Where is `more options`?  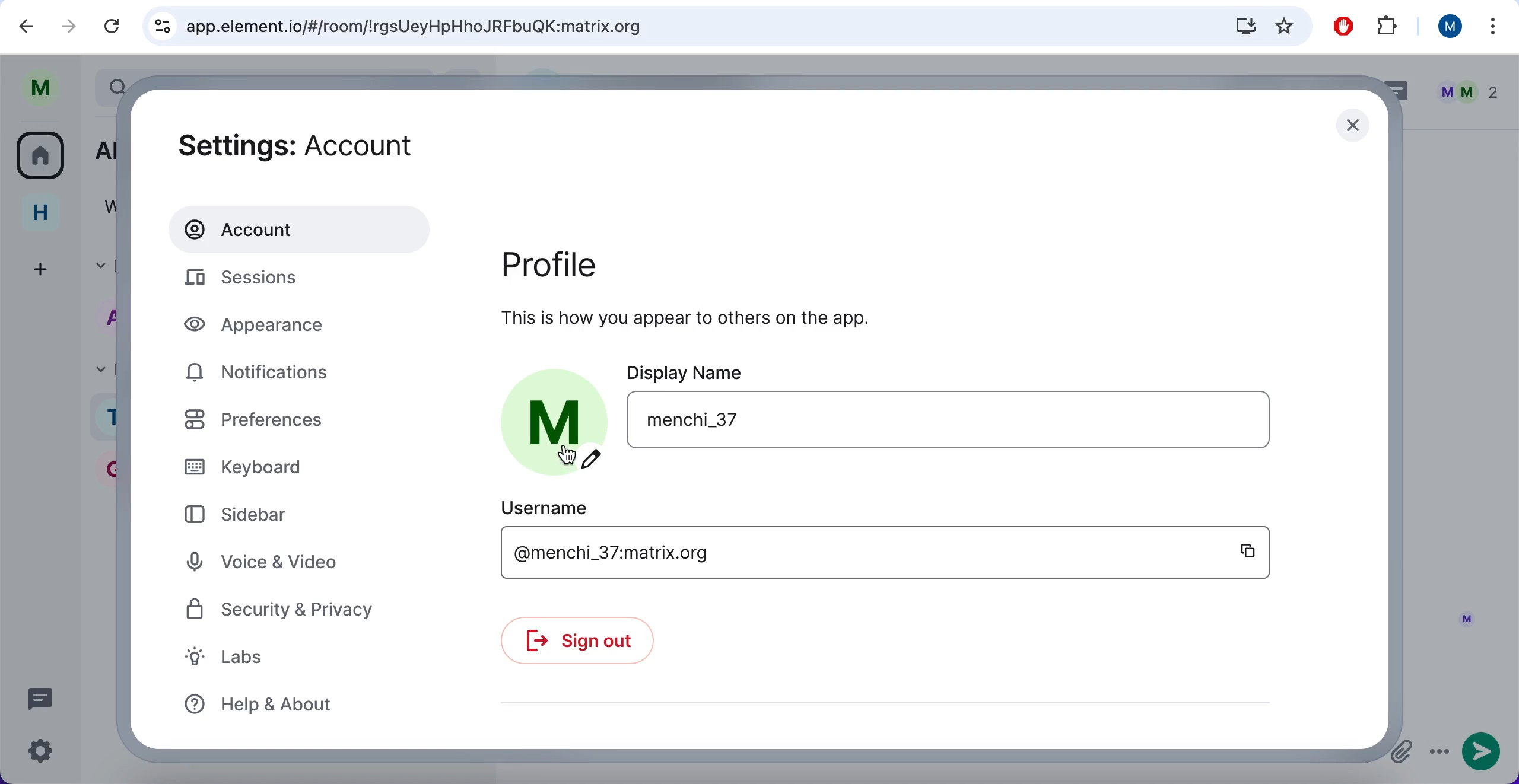
more options is located at coordinates (1492, 26).